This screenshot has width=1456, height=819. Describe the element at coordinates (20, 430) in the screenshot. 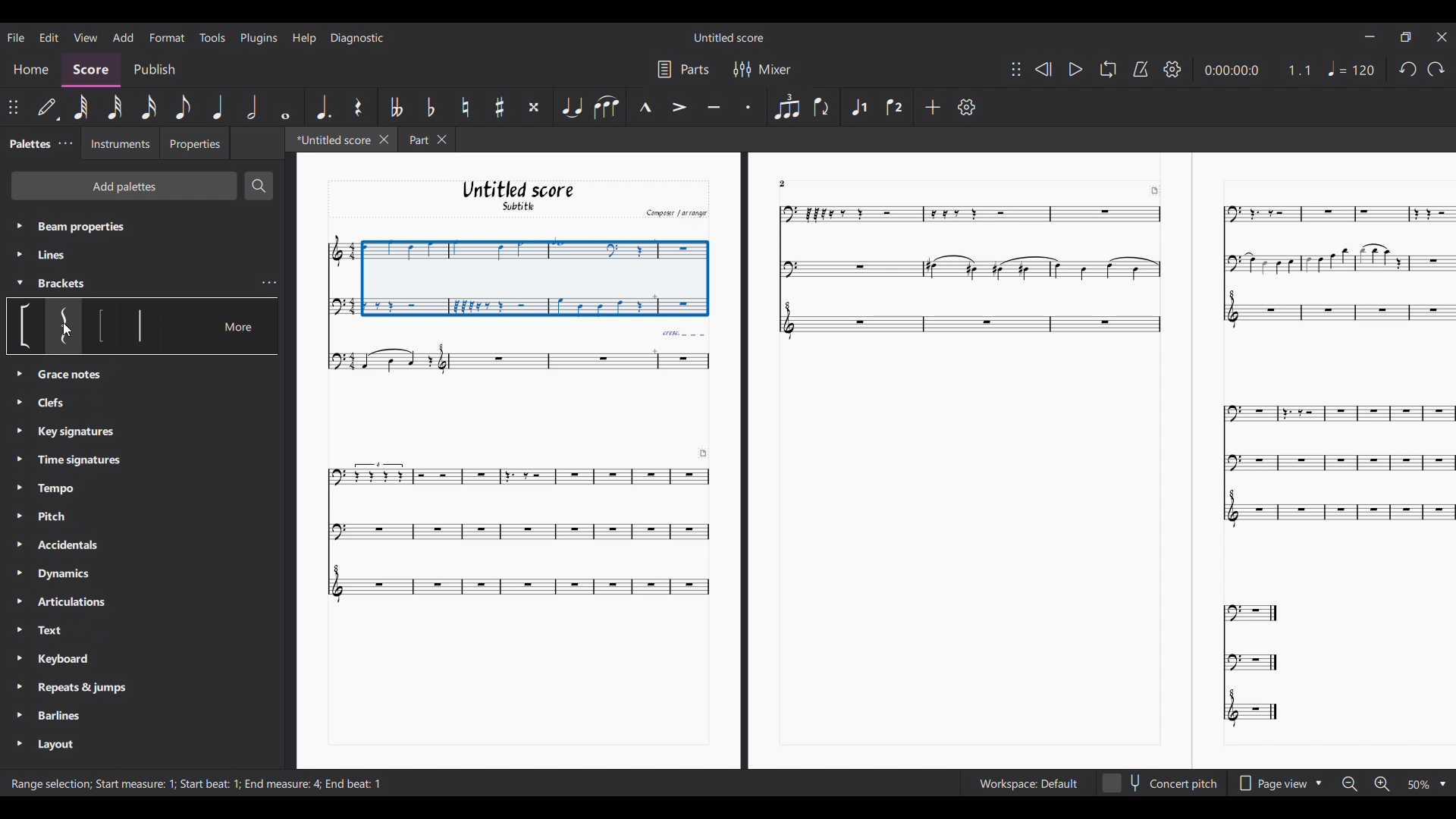

I see `` at that location.